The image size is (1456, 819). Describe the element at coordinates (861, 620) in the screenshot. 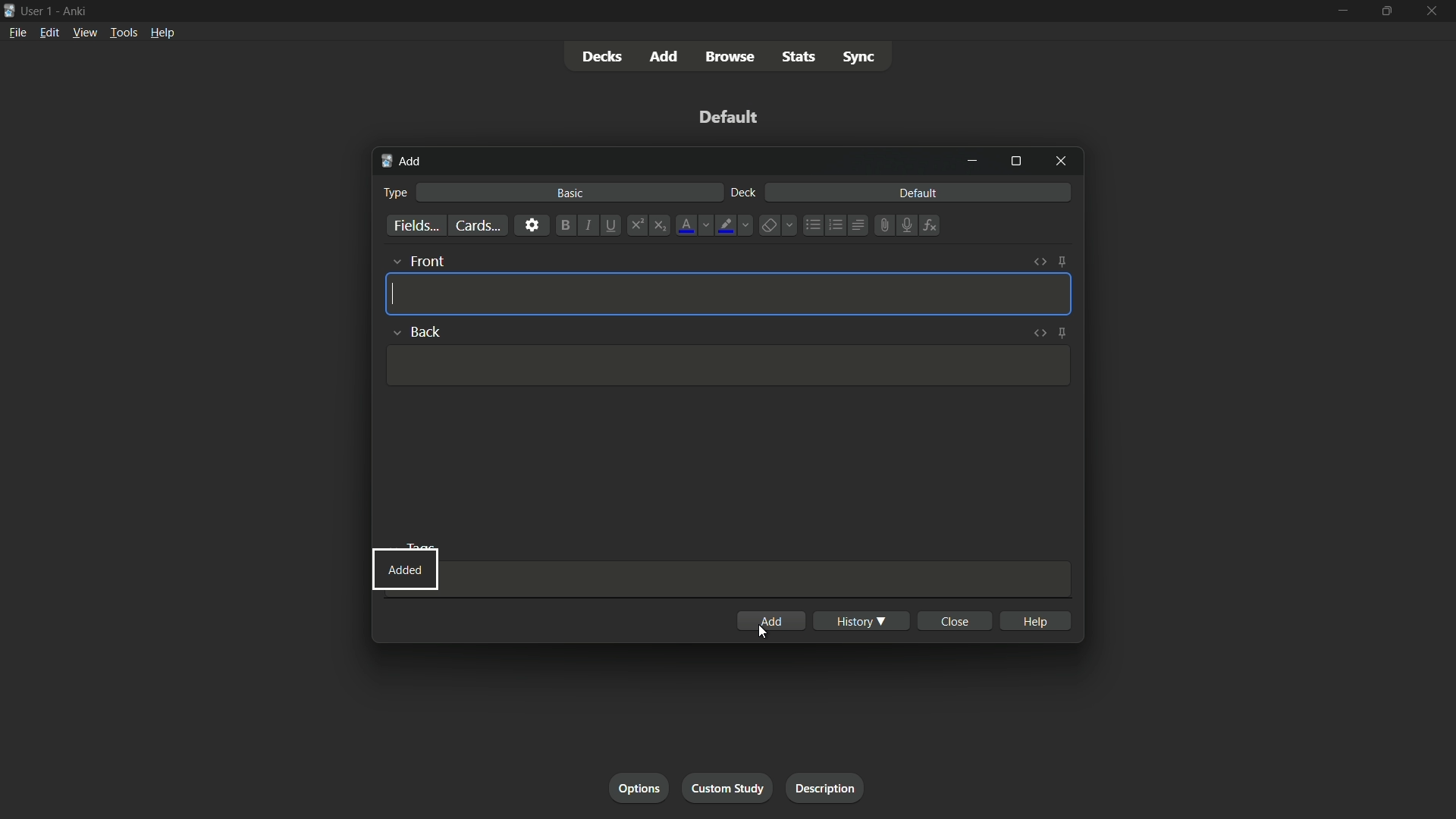

I see `history` at that location.